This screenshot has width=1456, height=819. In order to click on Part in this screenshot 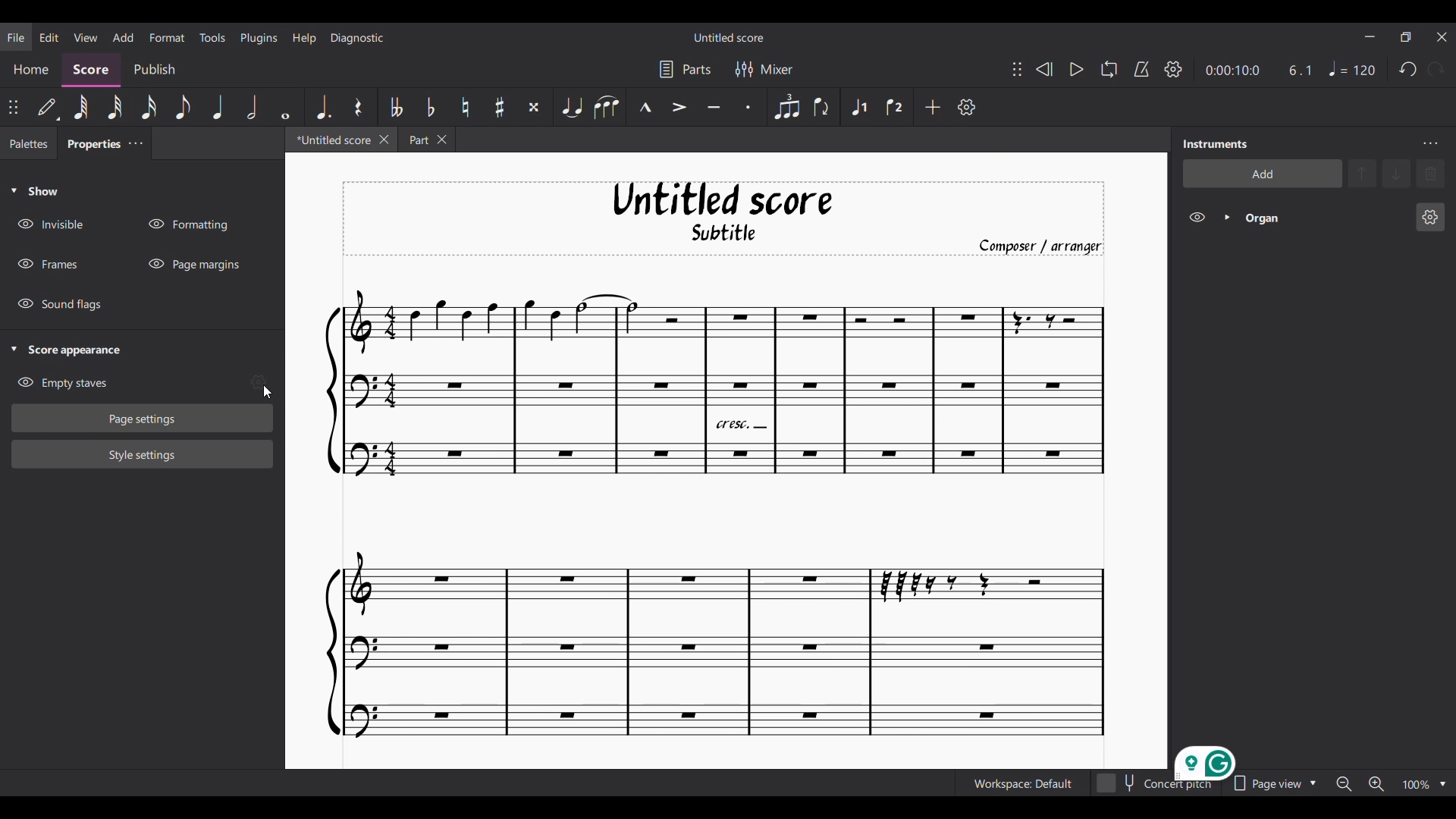, I will do `click(431, 140)`.